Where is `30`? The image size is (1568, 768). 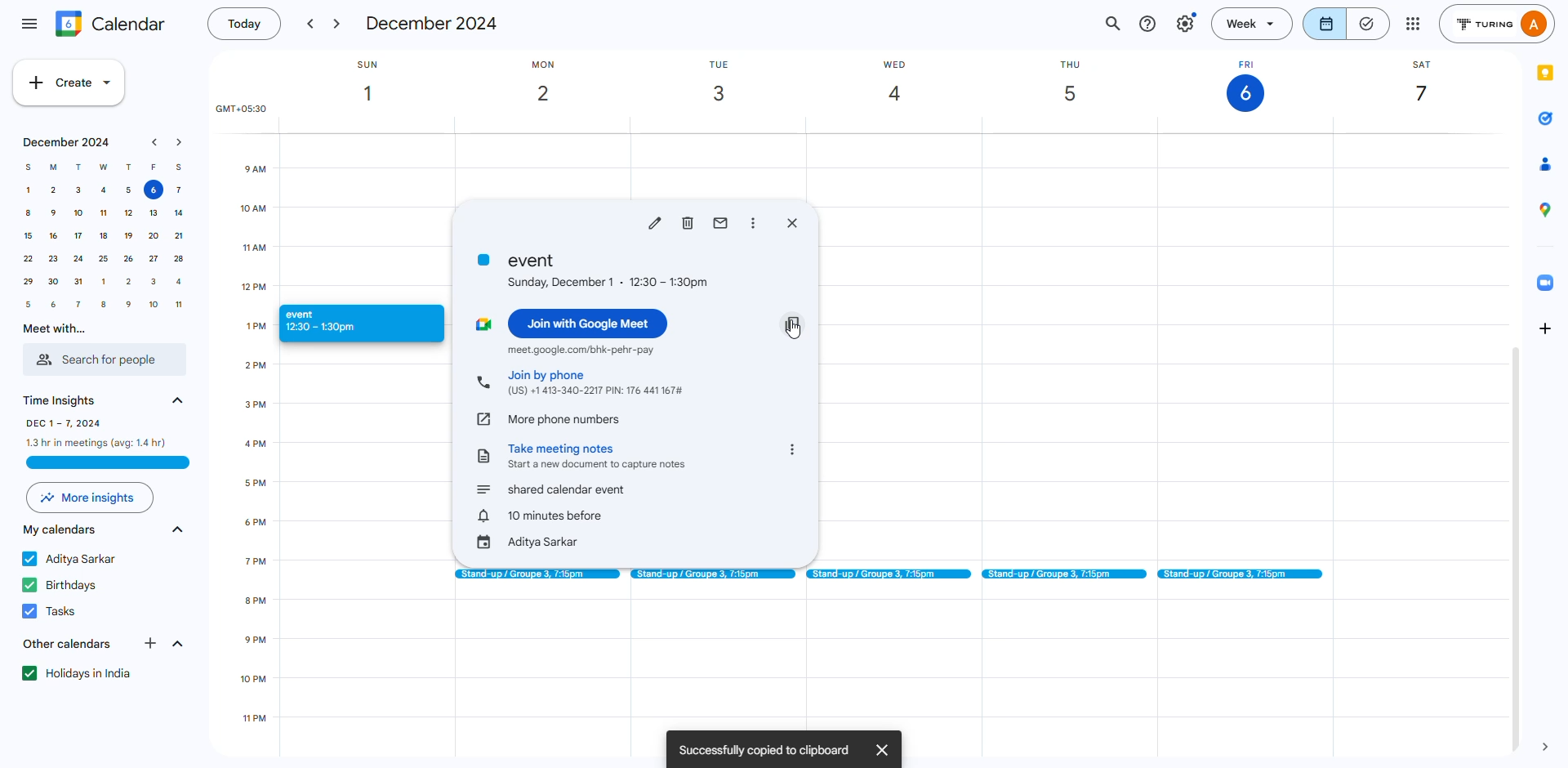
30 is located at coordinates (55, 281).